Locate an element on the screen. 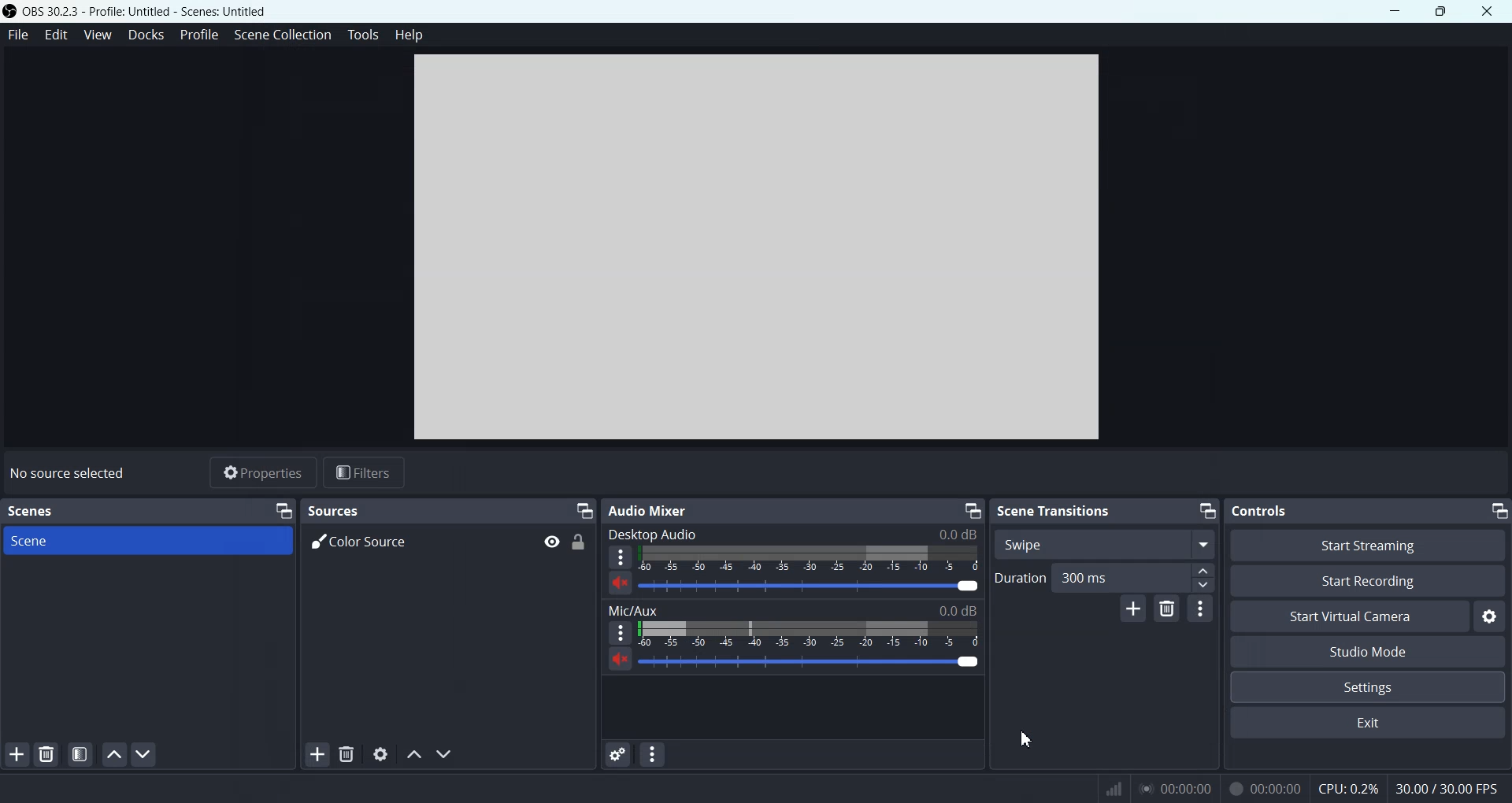 The width and height of the screenshot is (1512, 803). Volume Indicator is located at coordinates (809, 634).